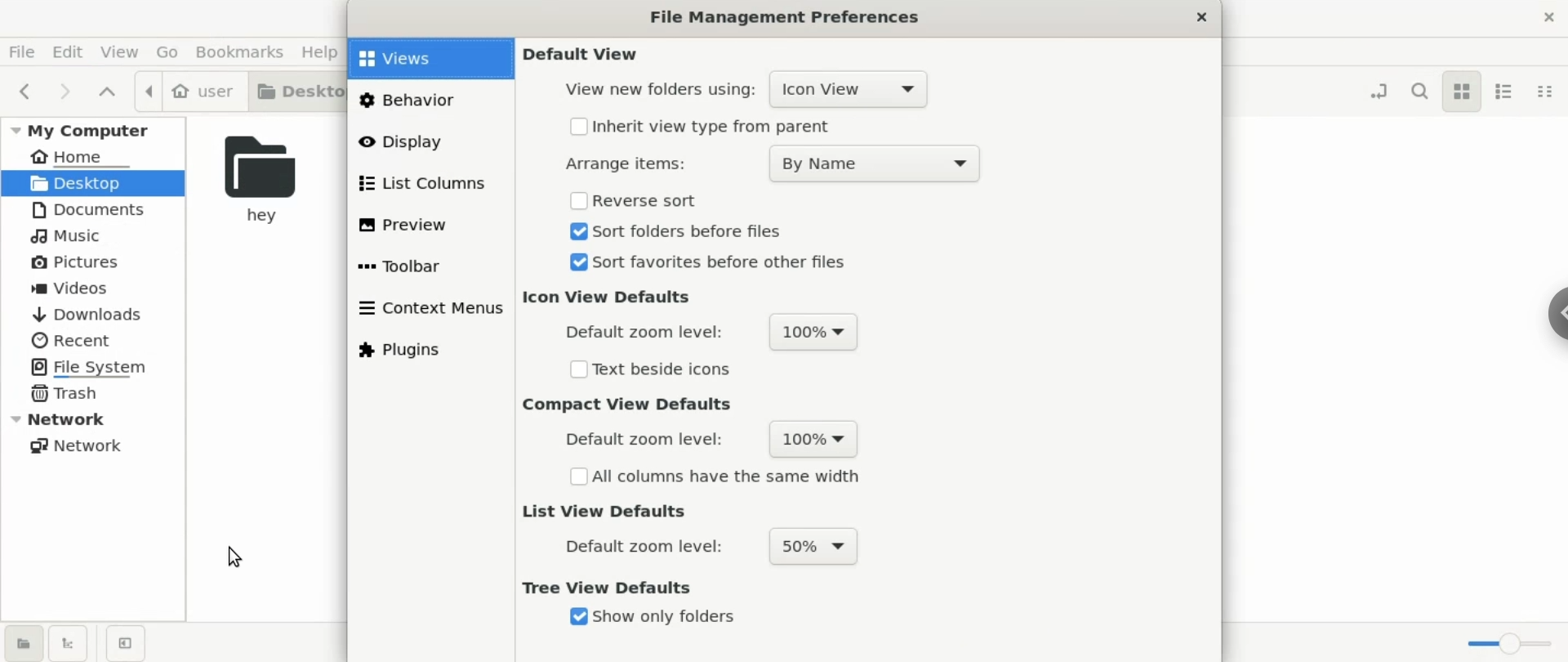  What do you see at coordinates (659, 91) in the screenshot?
I see `view new folder using ` at bounding box center [659, 91].